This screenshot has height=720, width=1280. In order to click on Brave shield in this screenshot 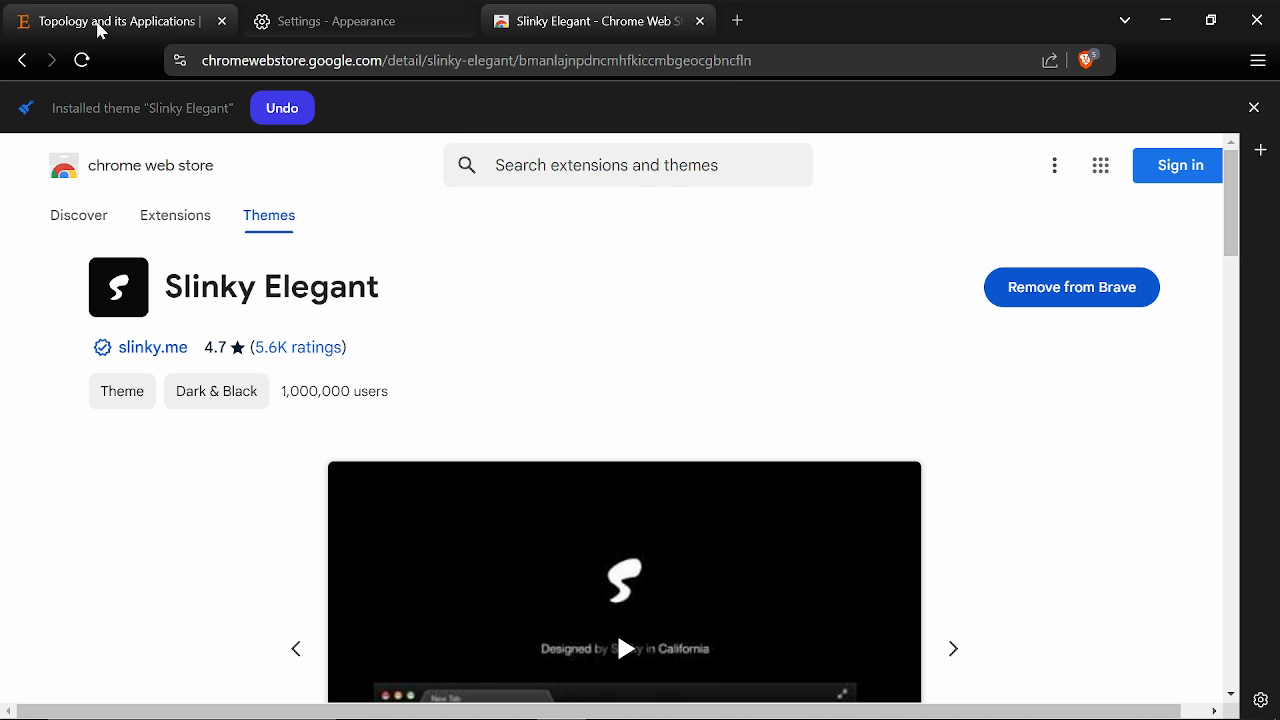, I will do `click(1088, 62)`.